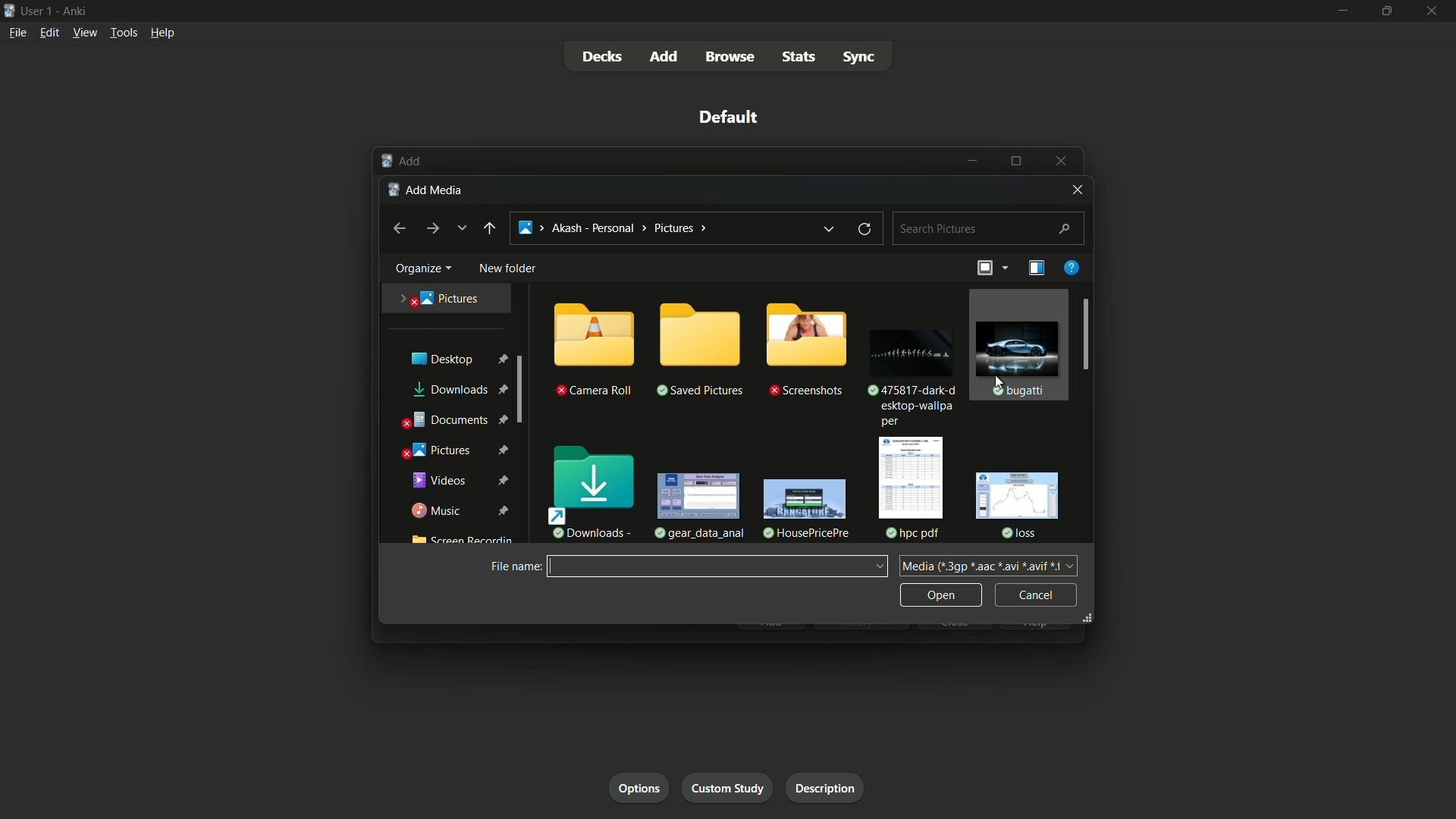 Image resolution: width=1456 pixels, height=819 pixels. What do you see at coordinates (1434, 11) in the screenshot?
I see `close app` at bounding box center [1434, 11].